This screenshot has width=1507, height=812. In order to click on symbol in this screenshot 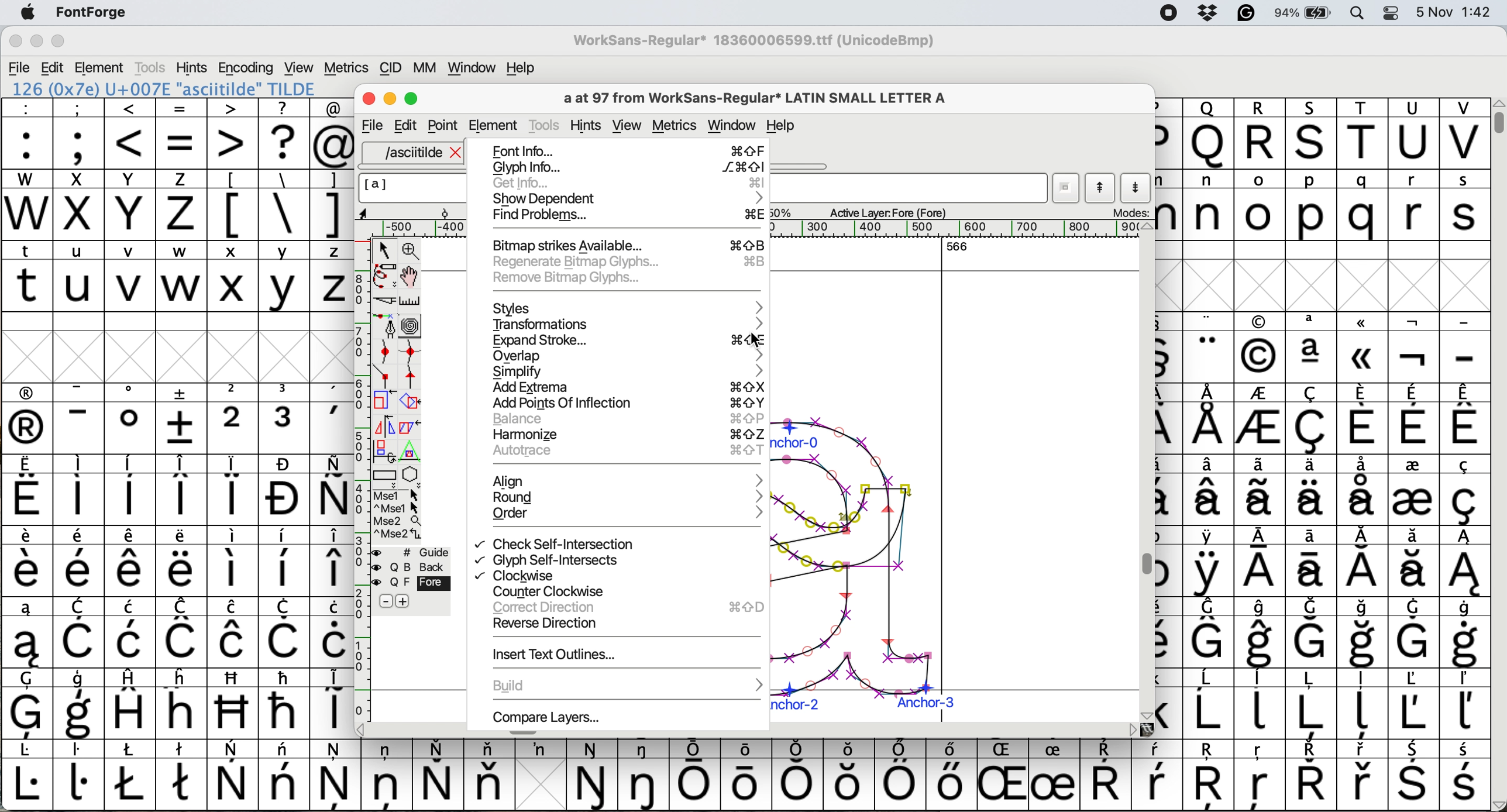, I will do `click(336, 774)`.